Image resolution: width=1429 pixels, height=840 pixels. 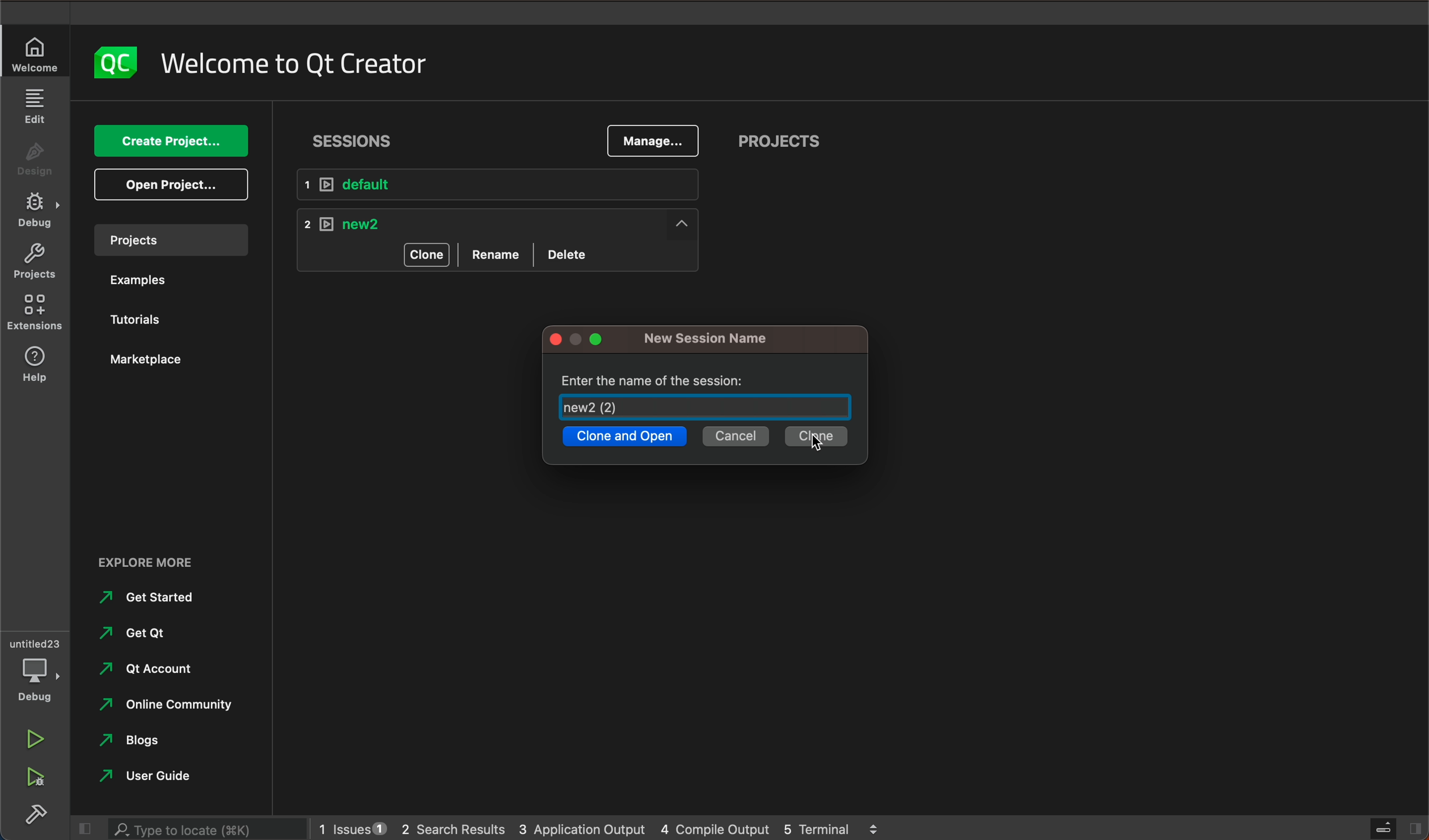 What do you see at coordinates (778, 139) in the screenshot?
I see `projects` at bounding box center [778, 139].